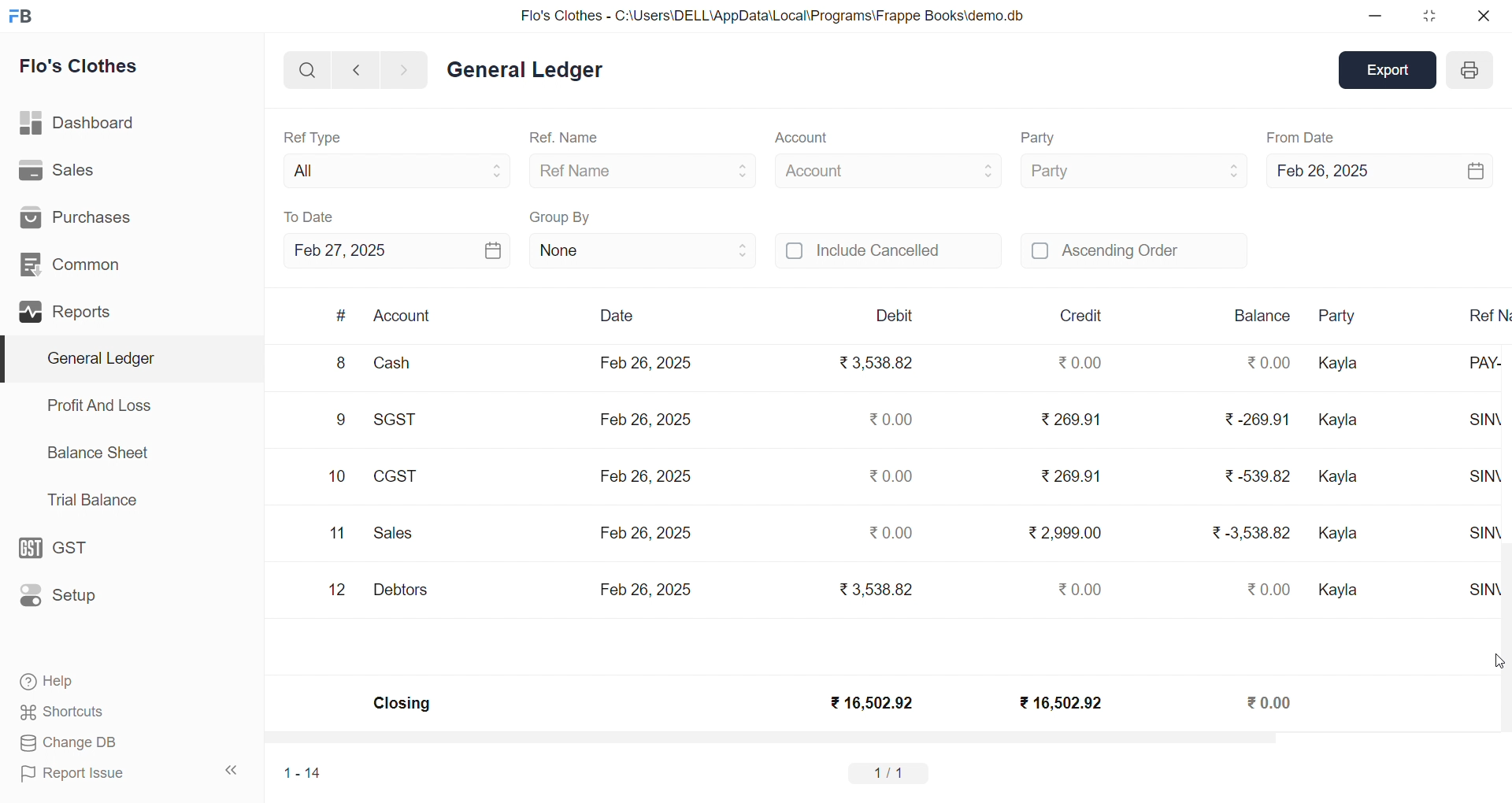 The height and width of the screenshot is (803, 1512). I want to click on Feb 26, 2025, so click(646, 362).